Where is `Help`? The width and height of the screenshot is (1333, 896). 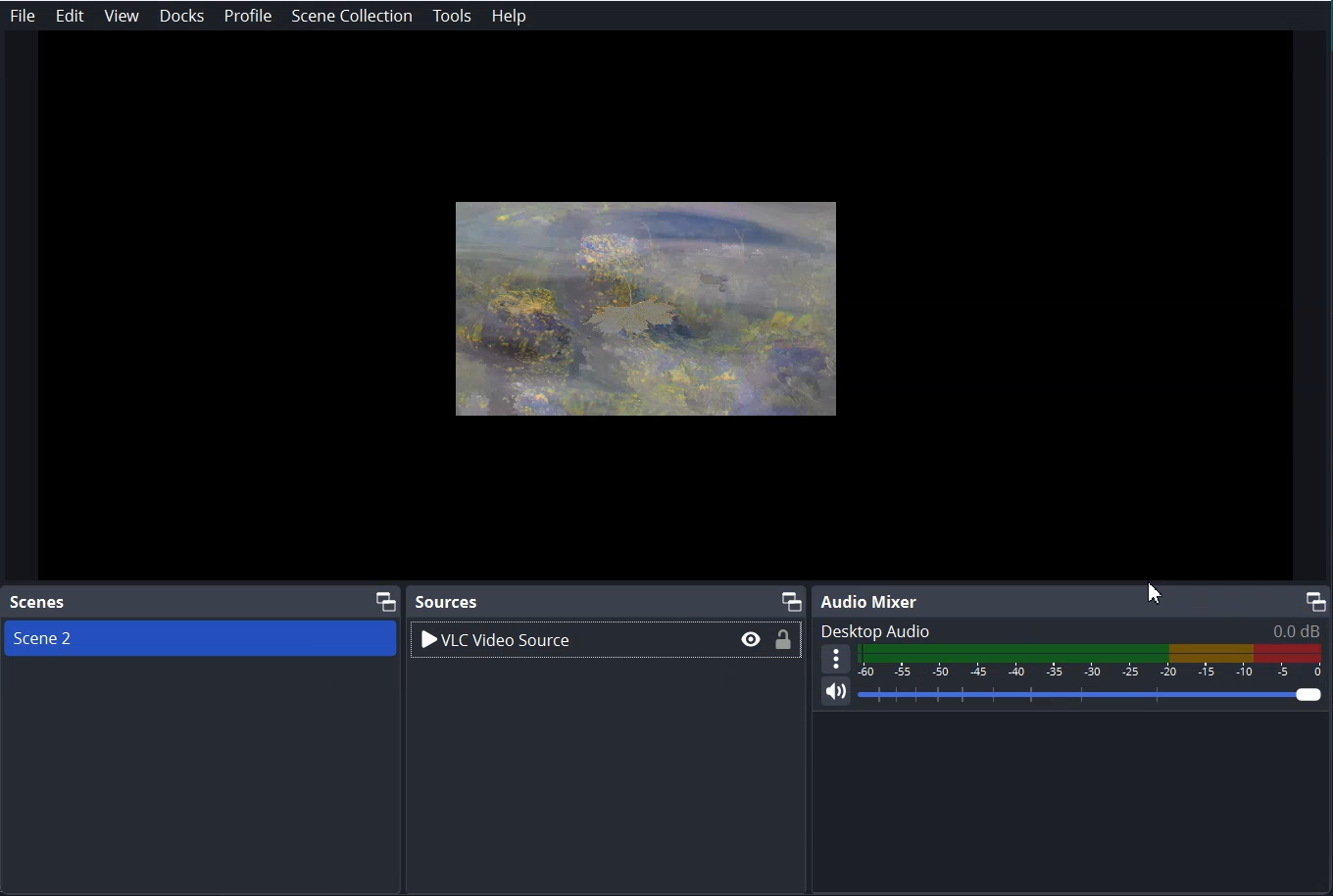
Help is located at coordinates (510, 16).